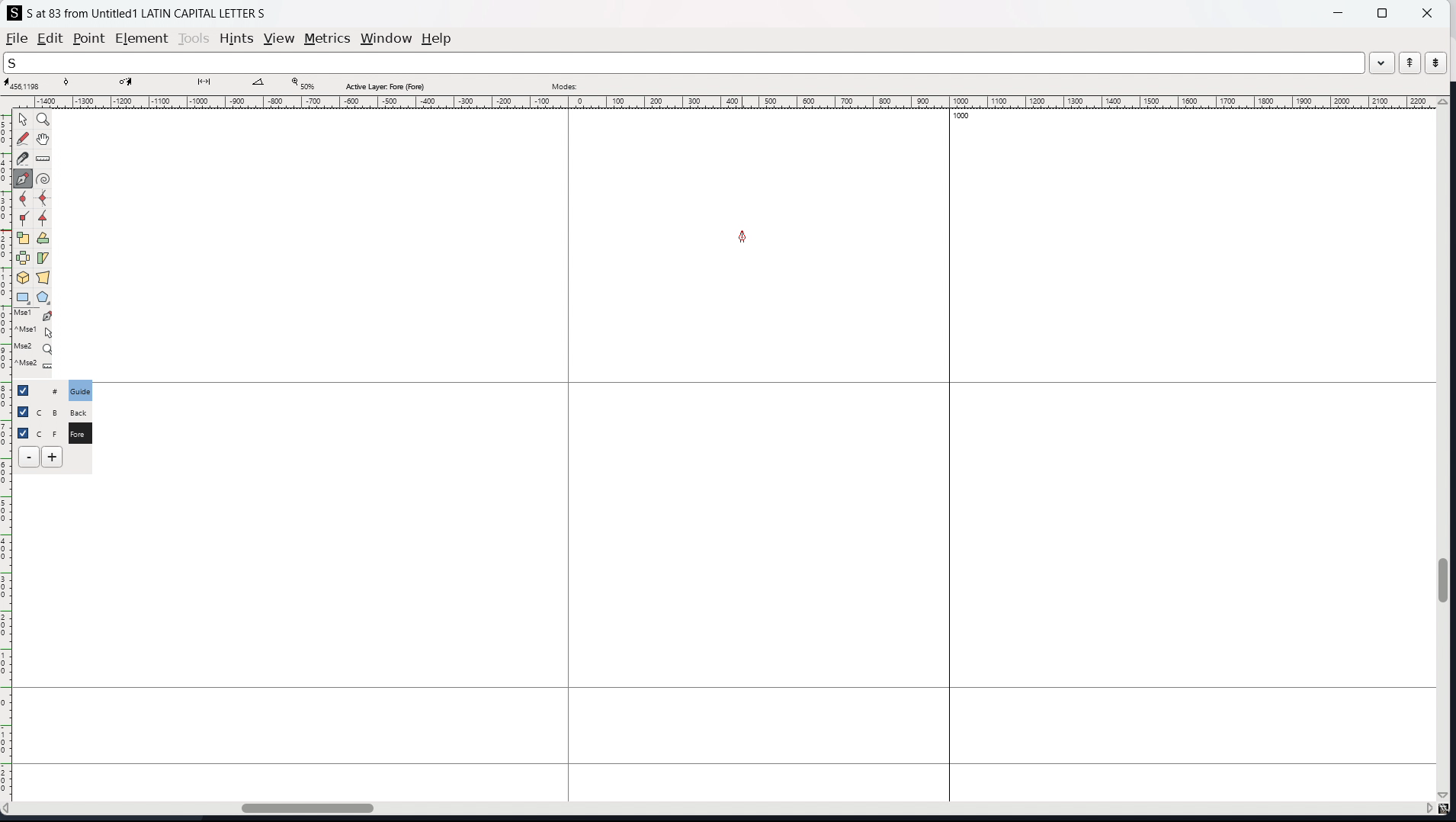 The image size is (1456, 822). Describe the element at coordinates (237, 39) in the screenshot. I see `hints` at that location.